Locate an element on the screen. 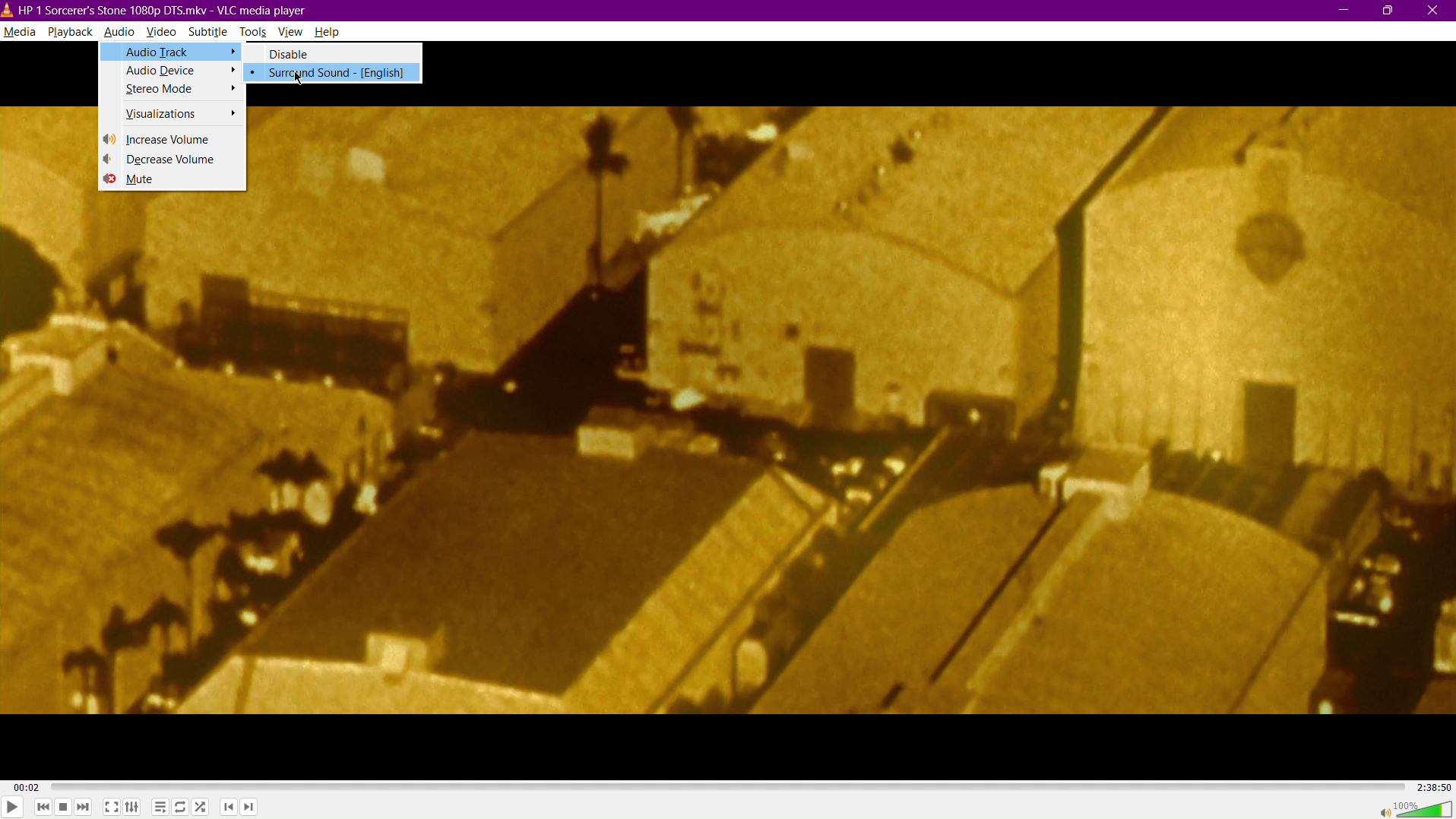  Playlist is located at coordinates (158, 808).